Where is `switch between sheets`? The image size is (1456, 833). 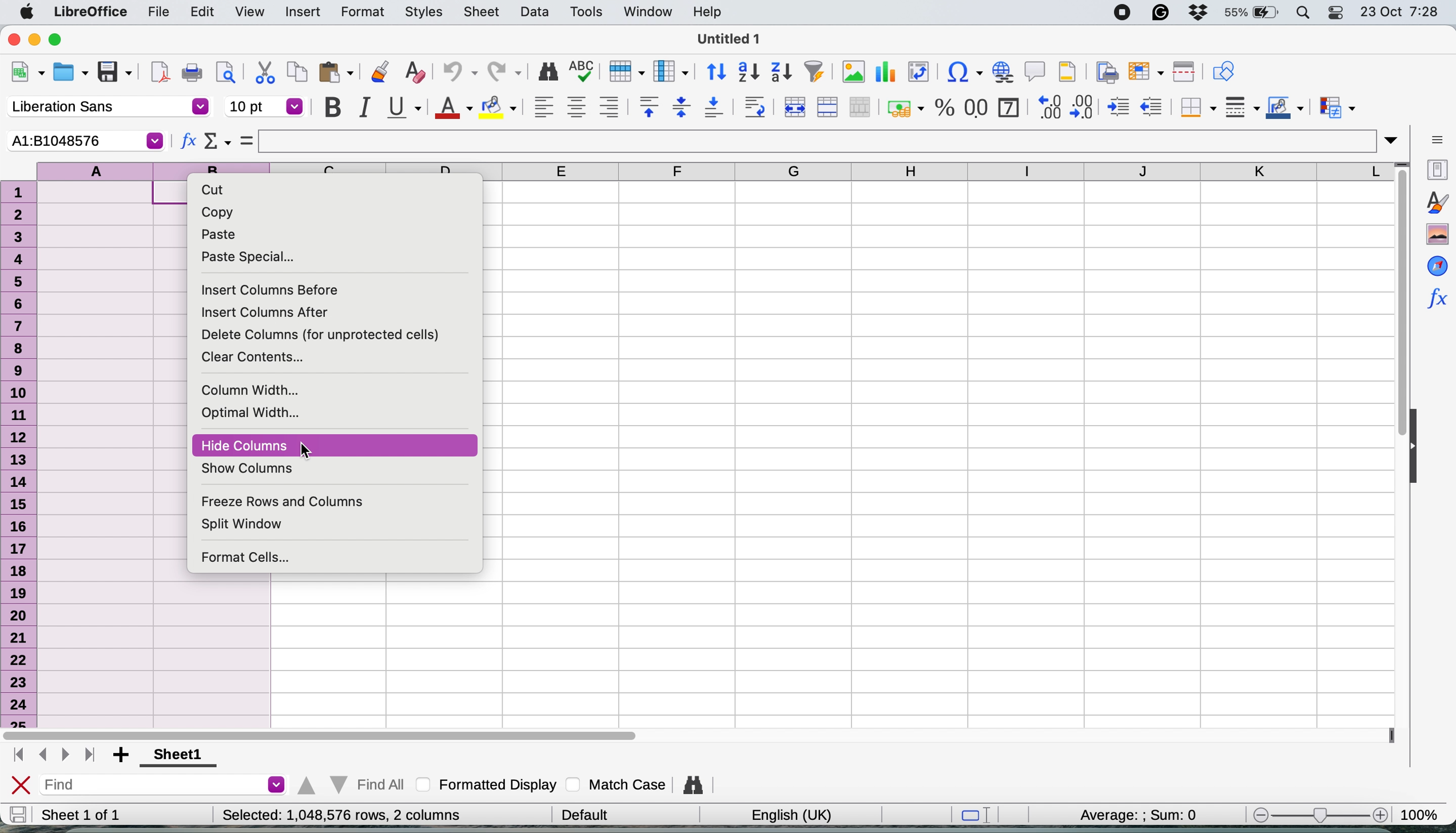 switch between sheets is located at coordinates (52, 755).